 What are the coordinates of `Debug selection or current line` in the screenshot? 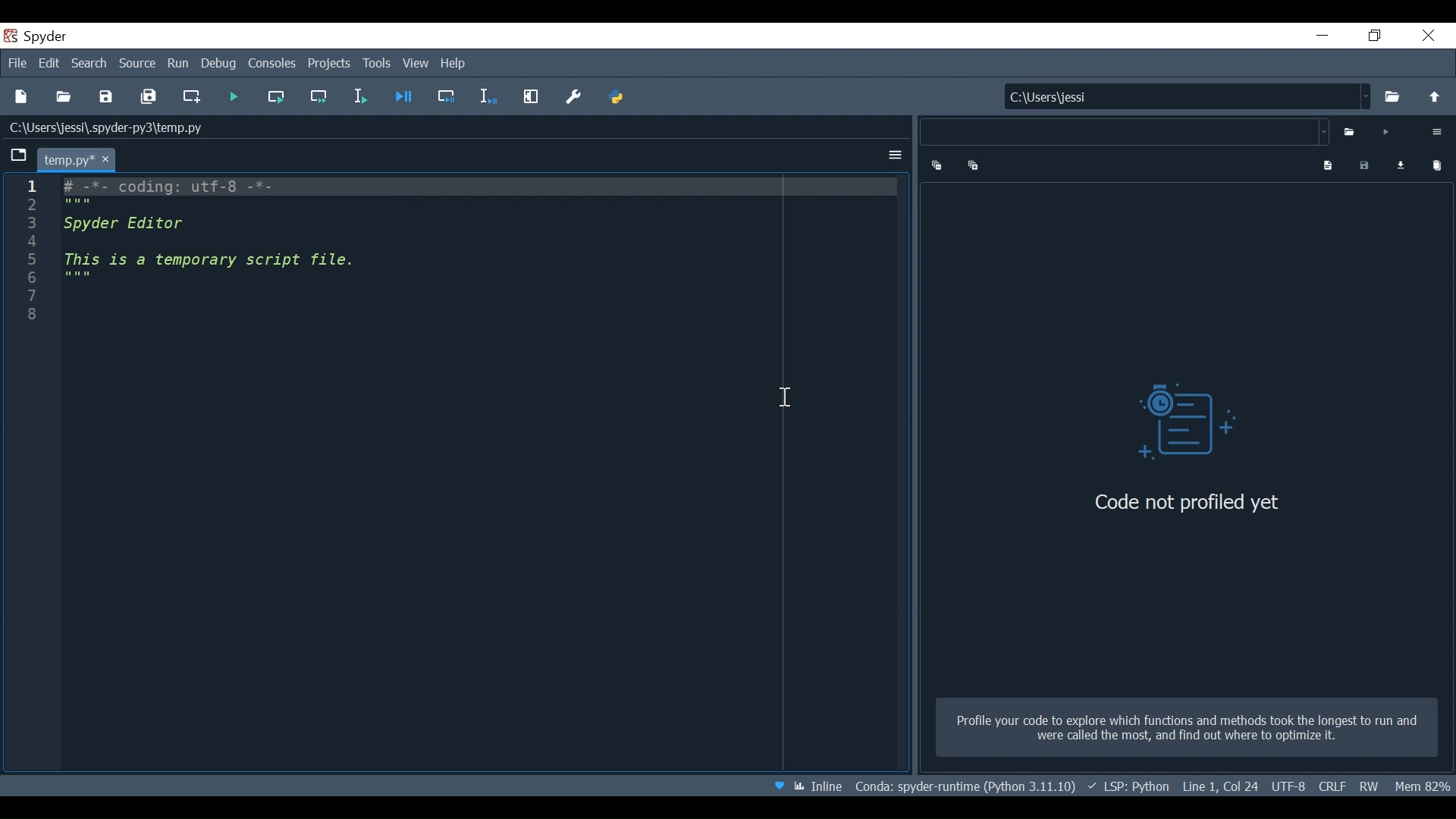 It's located at (488, 97).